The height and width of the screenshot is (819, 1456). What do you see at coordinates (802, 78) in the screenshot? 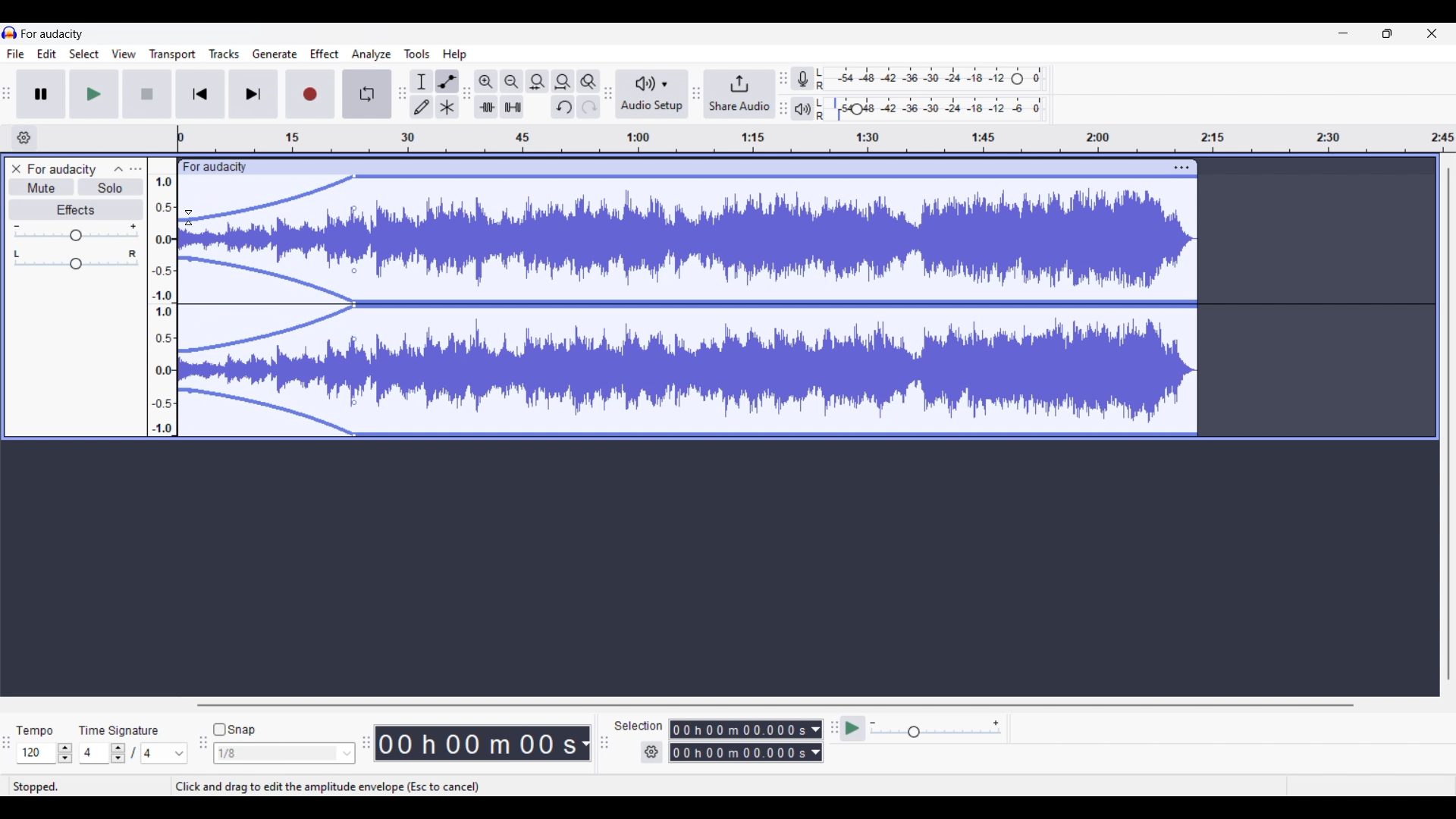
I see `Record meter` at bounding box center [802, 78].